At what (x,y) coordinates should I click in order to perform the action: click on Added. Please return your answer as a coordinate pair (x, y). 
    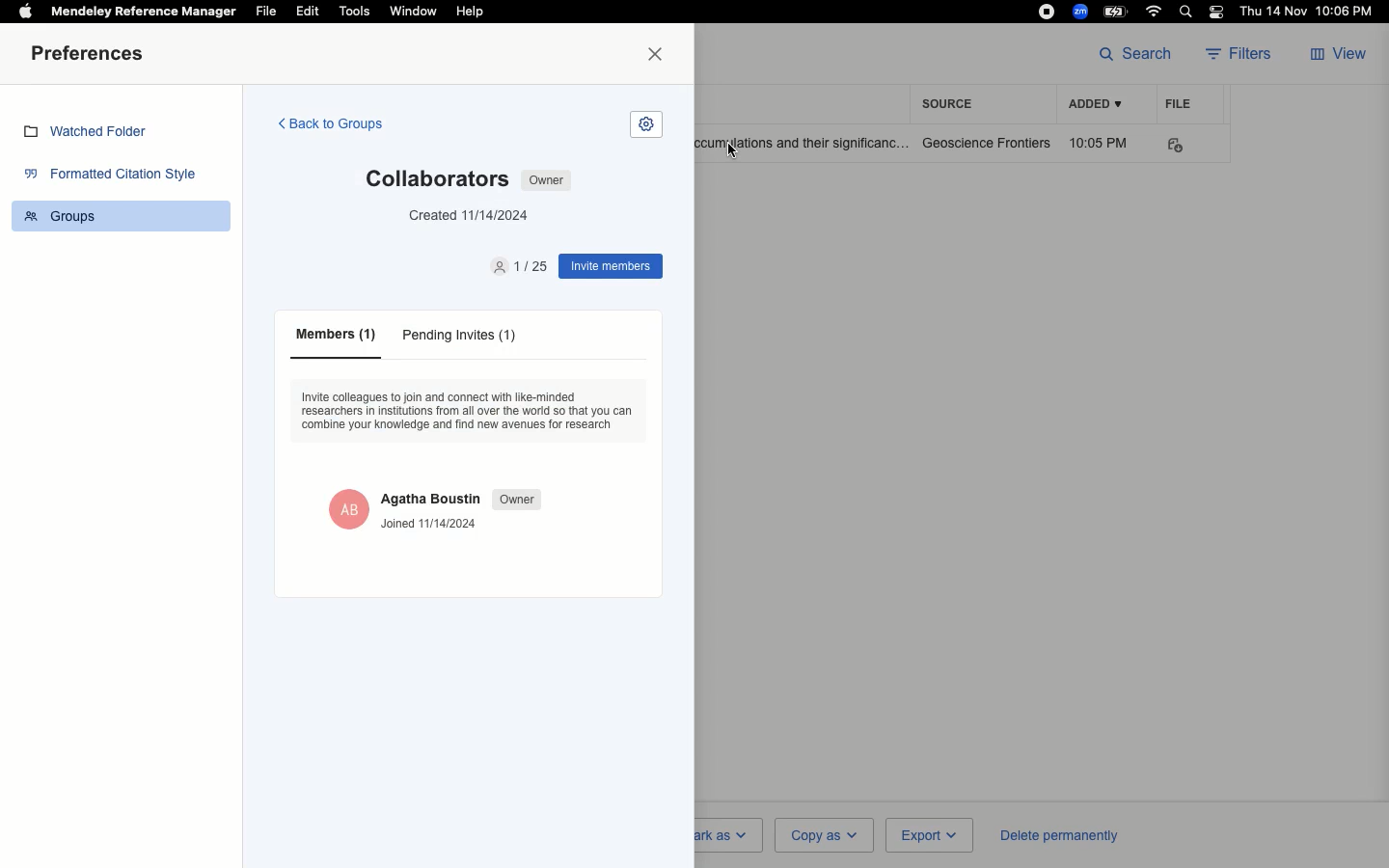
    Looking at the image, I should click on (1094, 105).